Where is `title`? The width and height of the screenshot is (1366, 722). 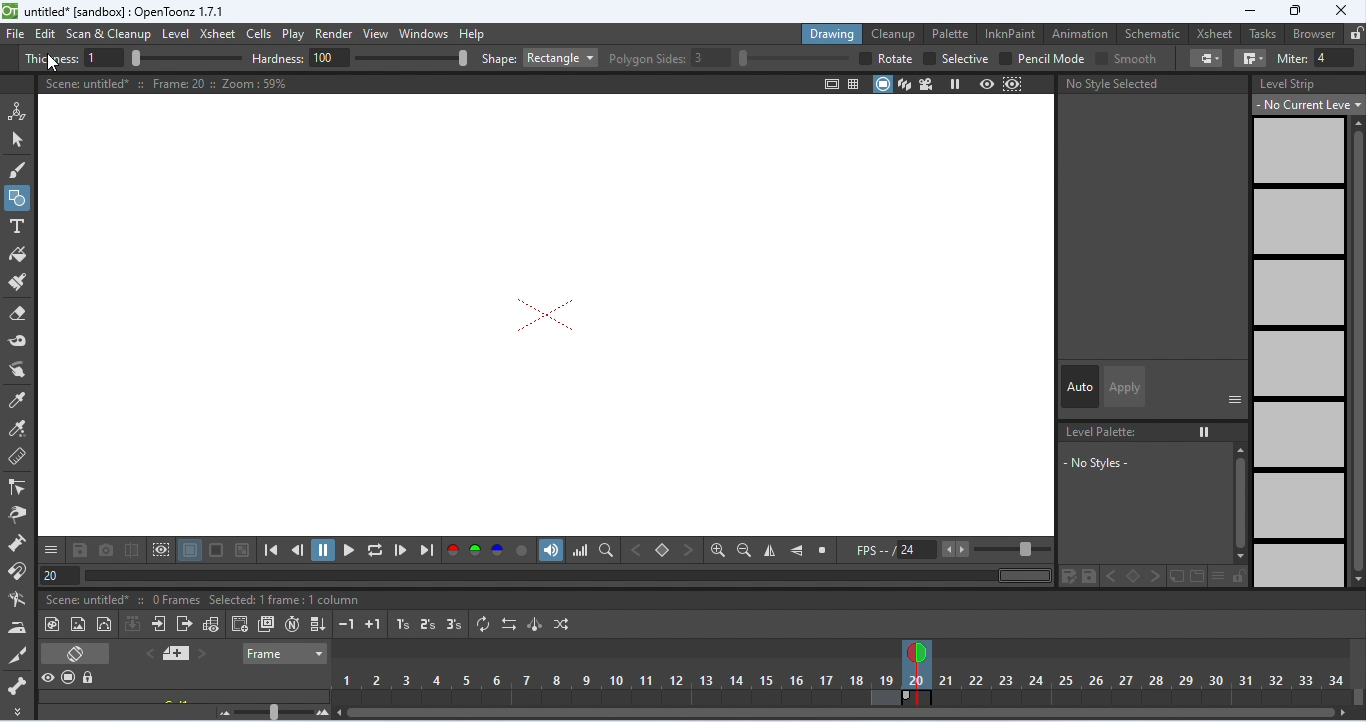
title is located at coordinates (115, 10).